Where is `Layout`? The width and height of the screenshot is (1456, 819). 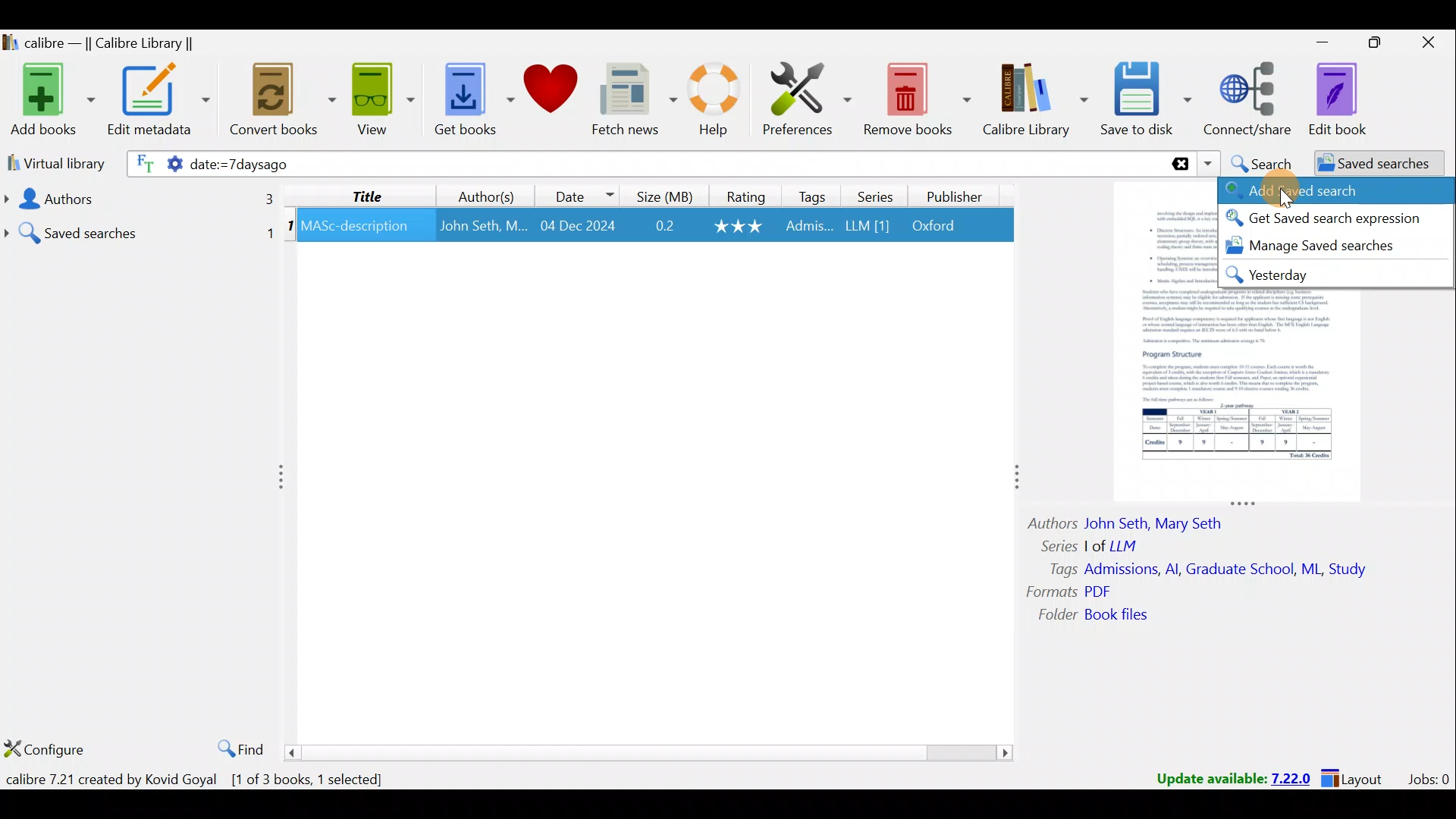
Layout is located at coordinates (1357, 777).